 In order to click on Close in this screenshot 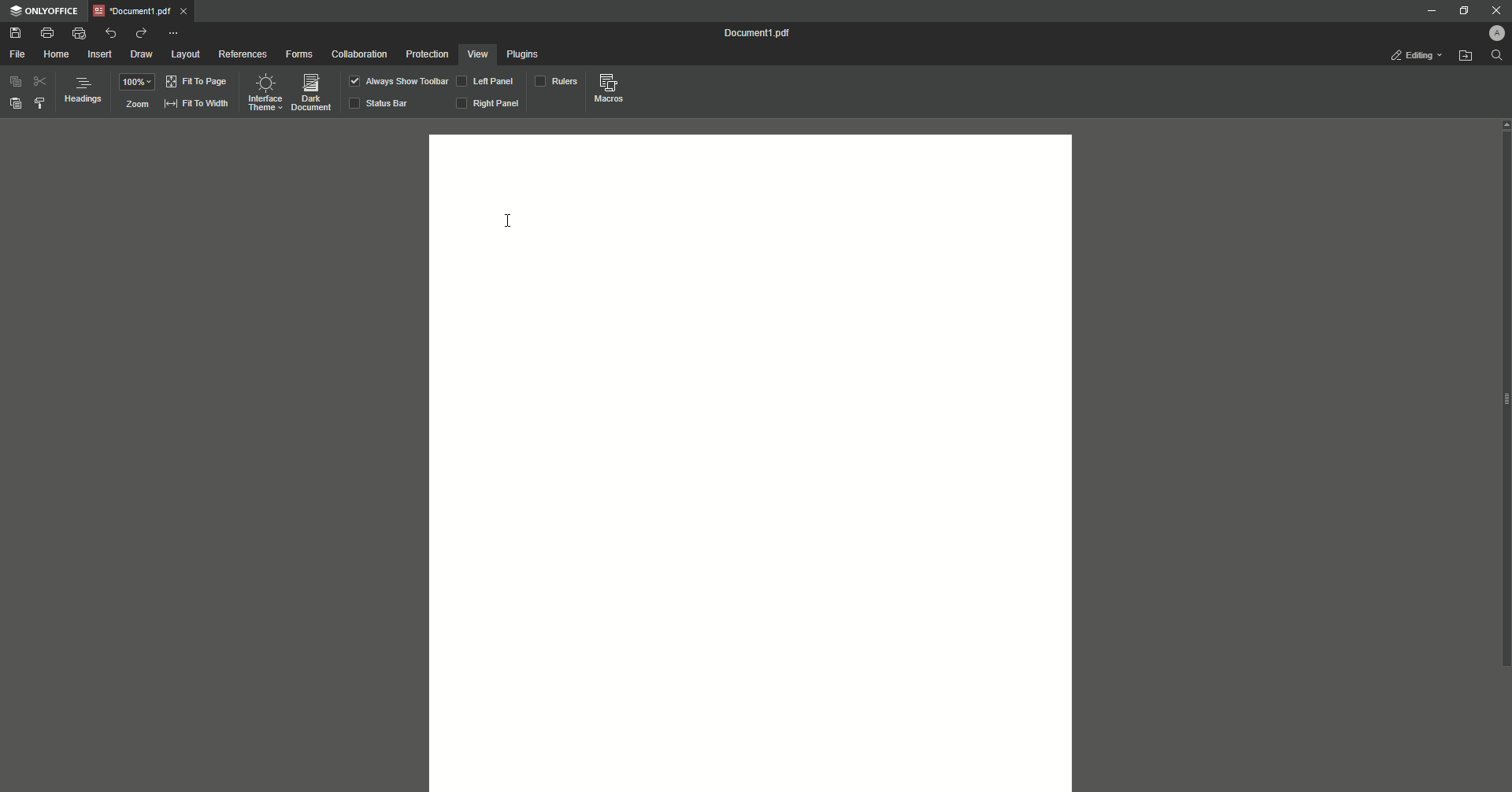, I will do `click(1497, 12)`.